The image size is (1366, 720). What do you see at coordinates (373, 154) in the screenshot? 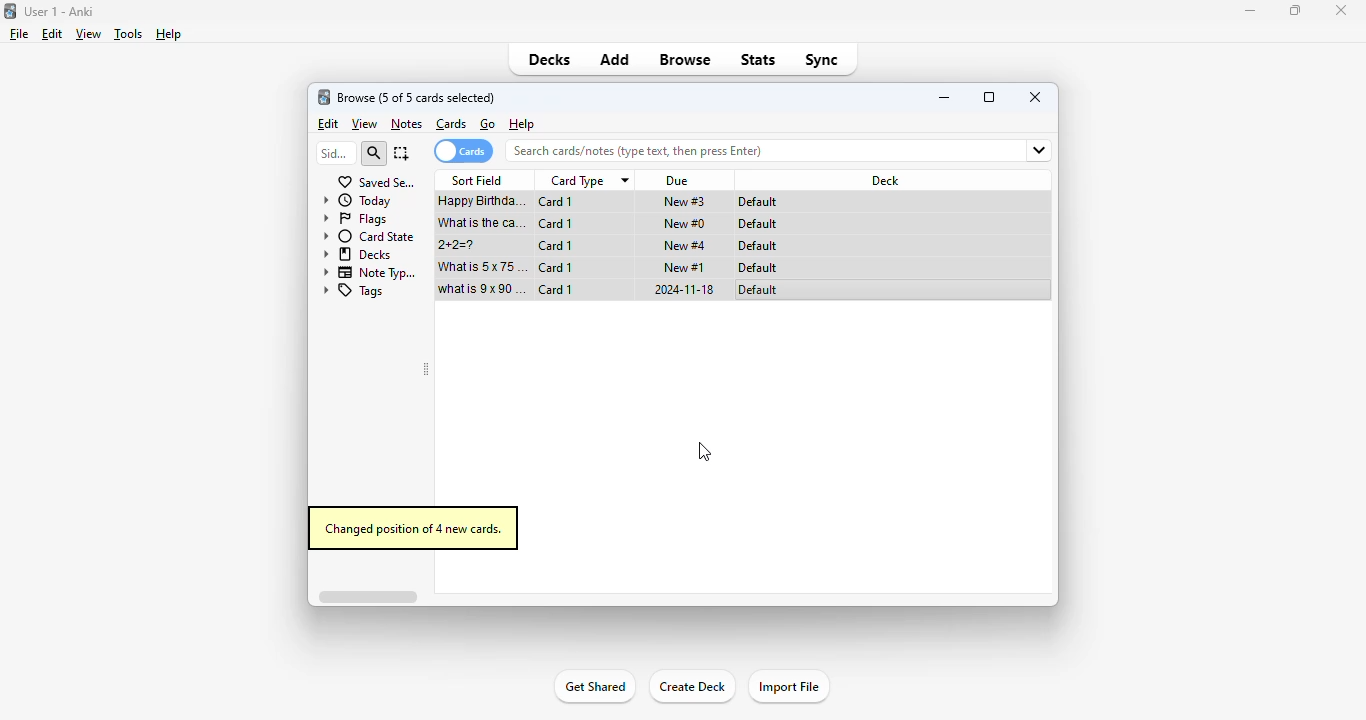
I see `search` at bounding box center [373, 154].